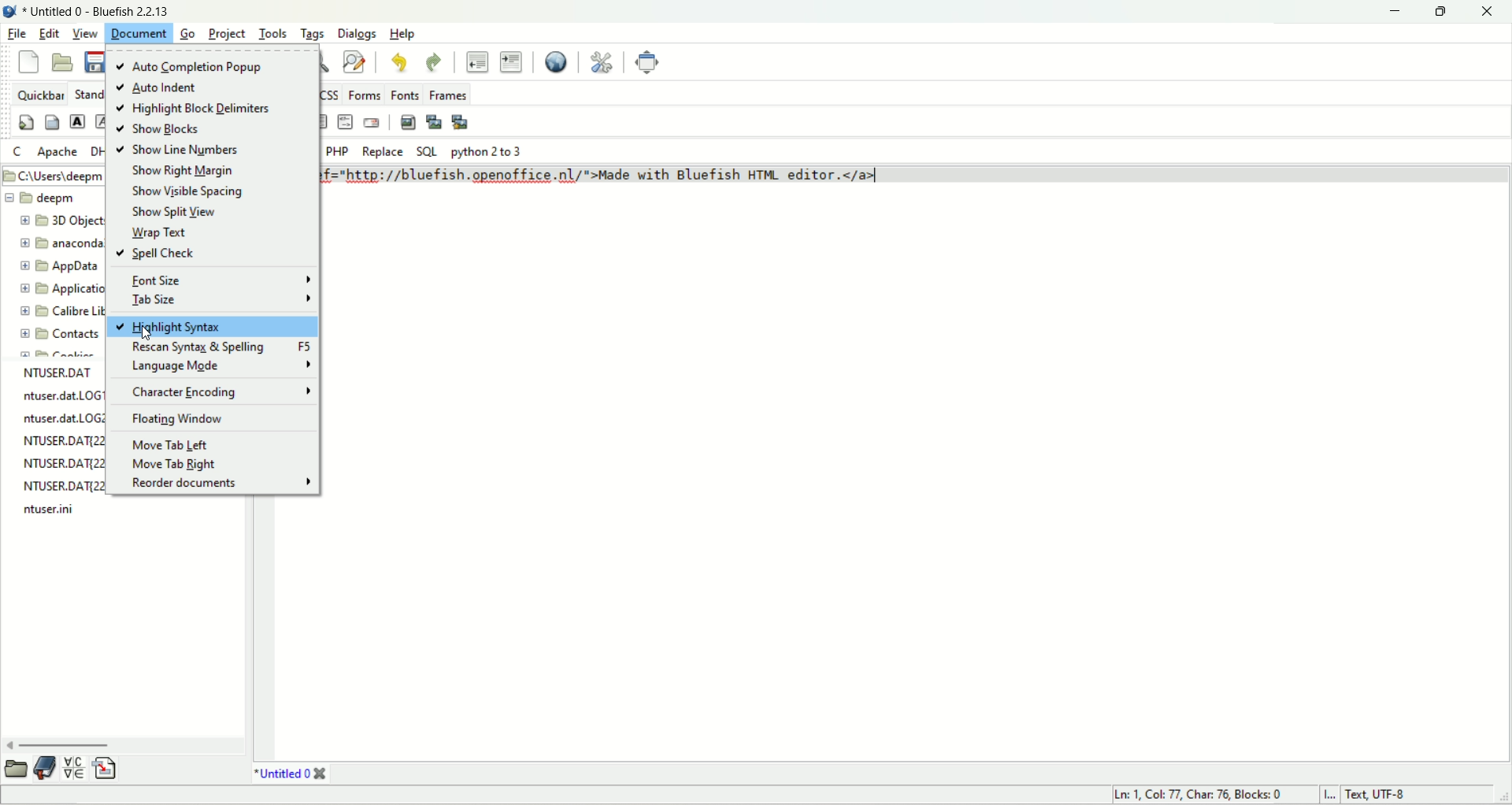 The image size is (1512, 805). Describe the element at coordinates (67, 61) in the screenshot. I see `open file` at that location.